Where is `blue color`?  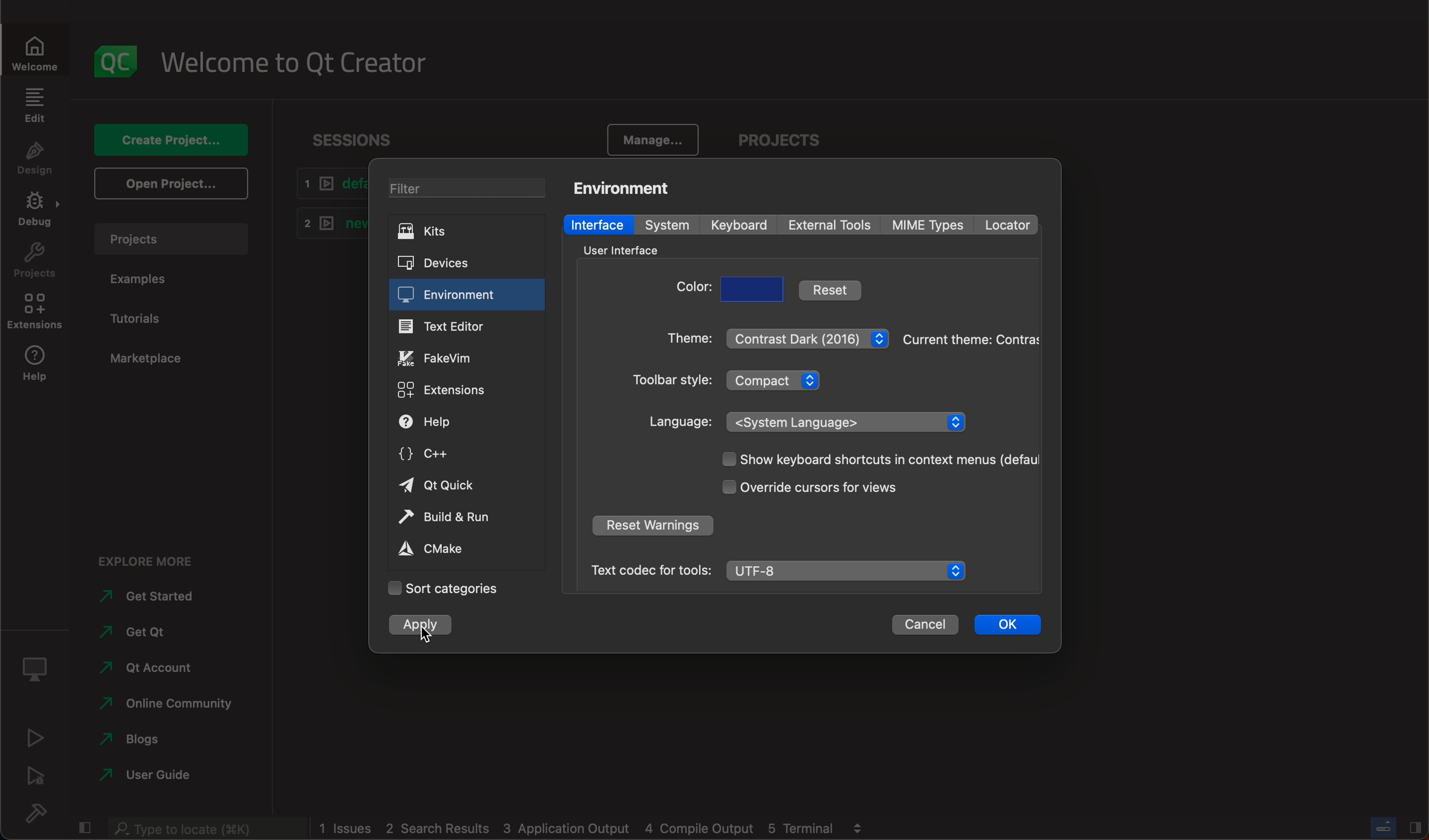
blue color is located at coordinates (755, 289).